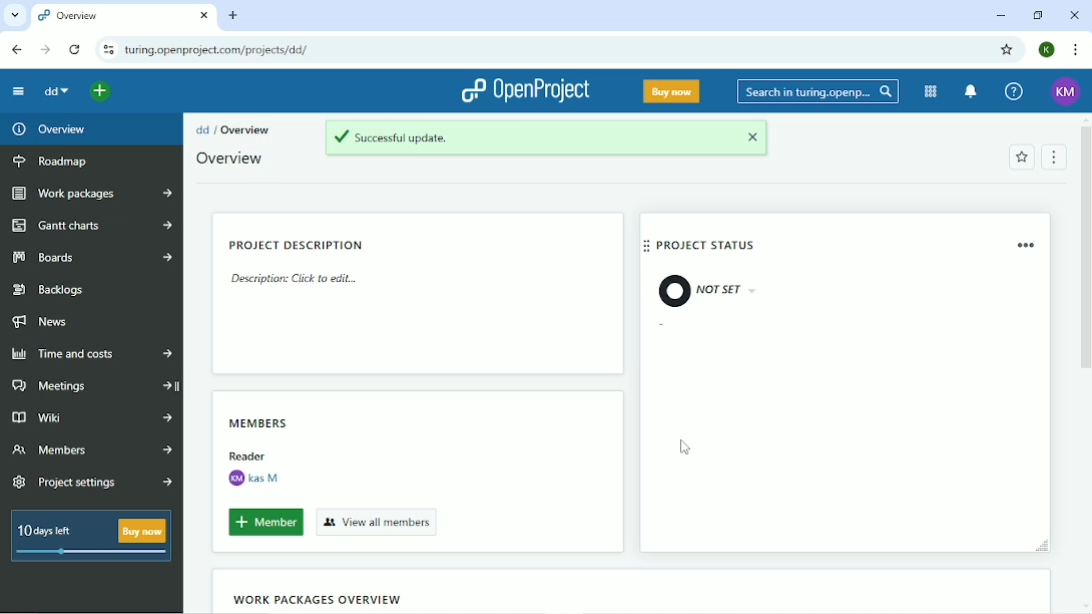  What do you see at coordinates (685, 448) in the screenshot?
I see `Cursor` at bounding box center [685, 448].